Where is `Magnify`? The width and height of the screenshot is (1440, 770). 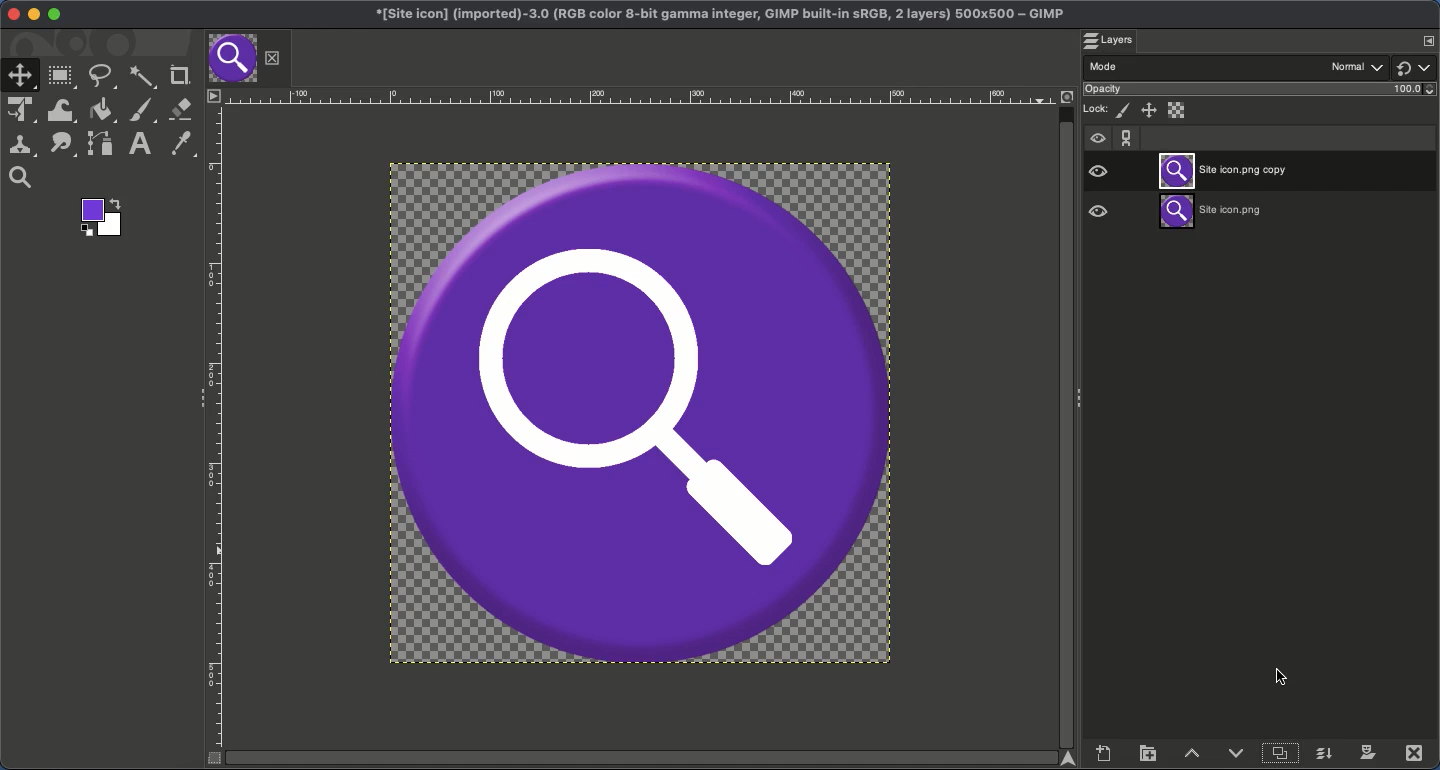 Magnify is located at coordinates (23, 178).